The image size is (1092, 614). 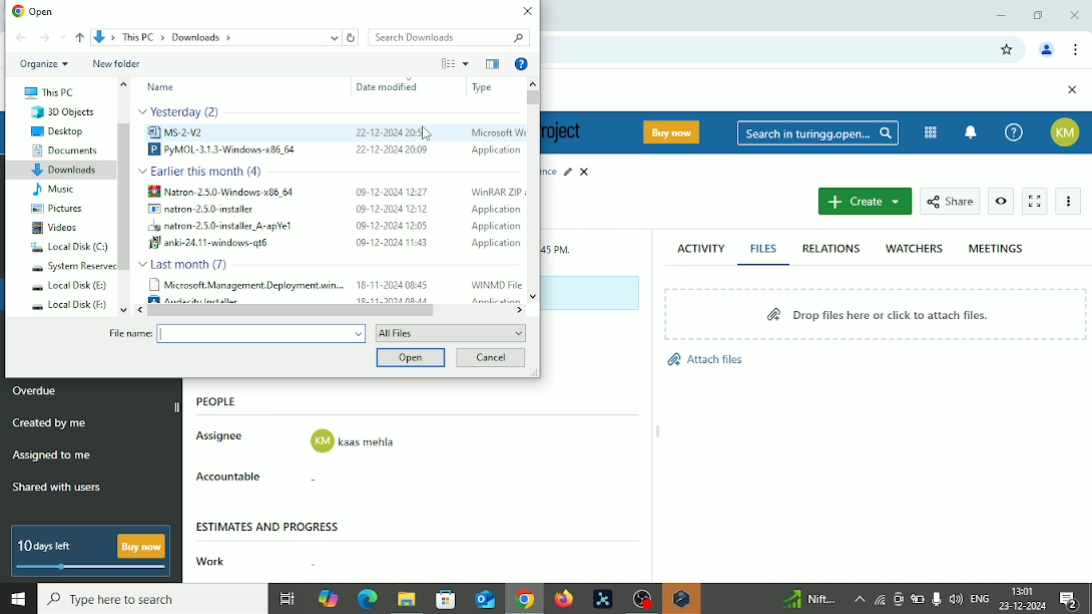 What do you see at coordinates (405, 601) in the screenshot?
I see `File explorer` at bounding box center [405, 601].